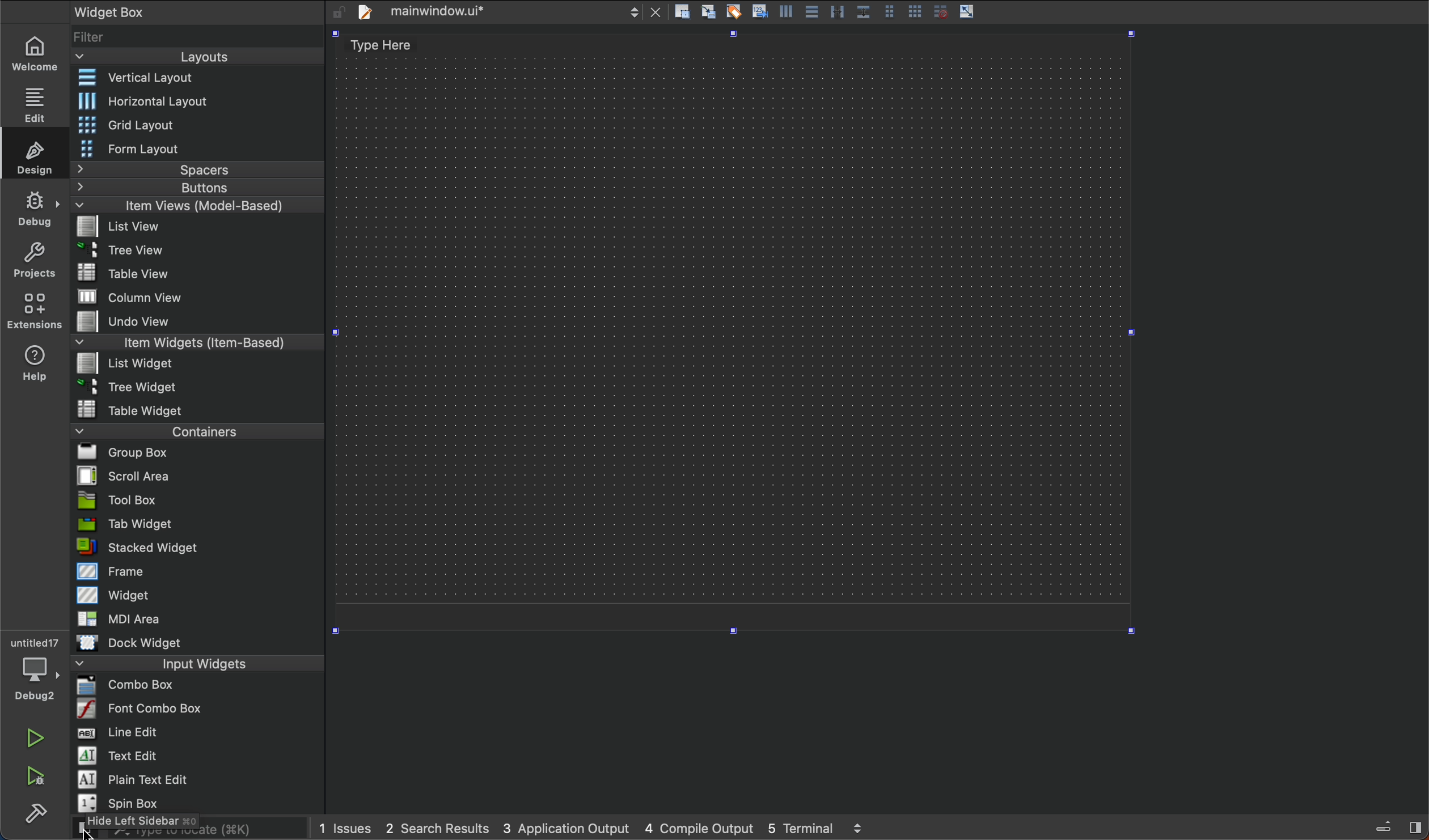 The height and width of the screenshot is (840, 1429). What do you see at coordinates (183, 206) in the screenshot?
I see `item views` at bounding box center [183, 206].